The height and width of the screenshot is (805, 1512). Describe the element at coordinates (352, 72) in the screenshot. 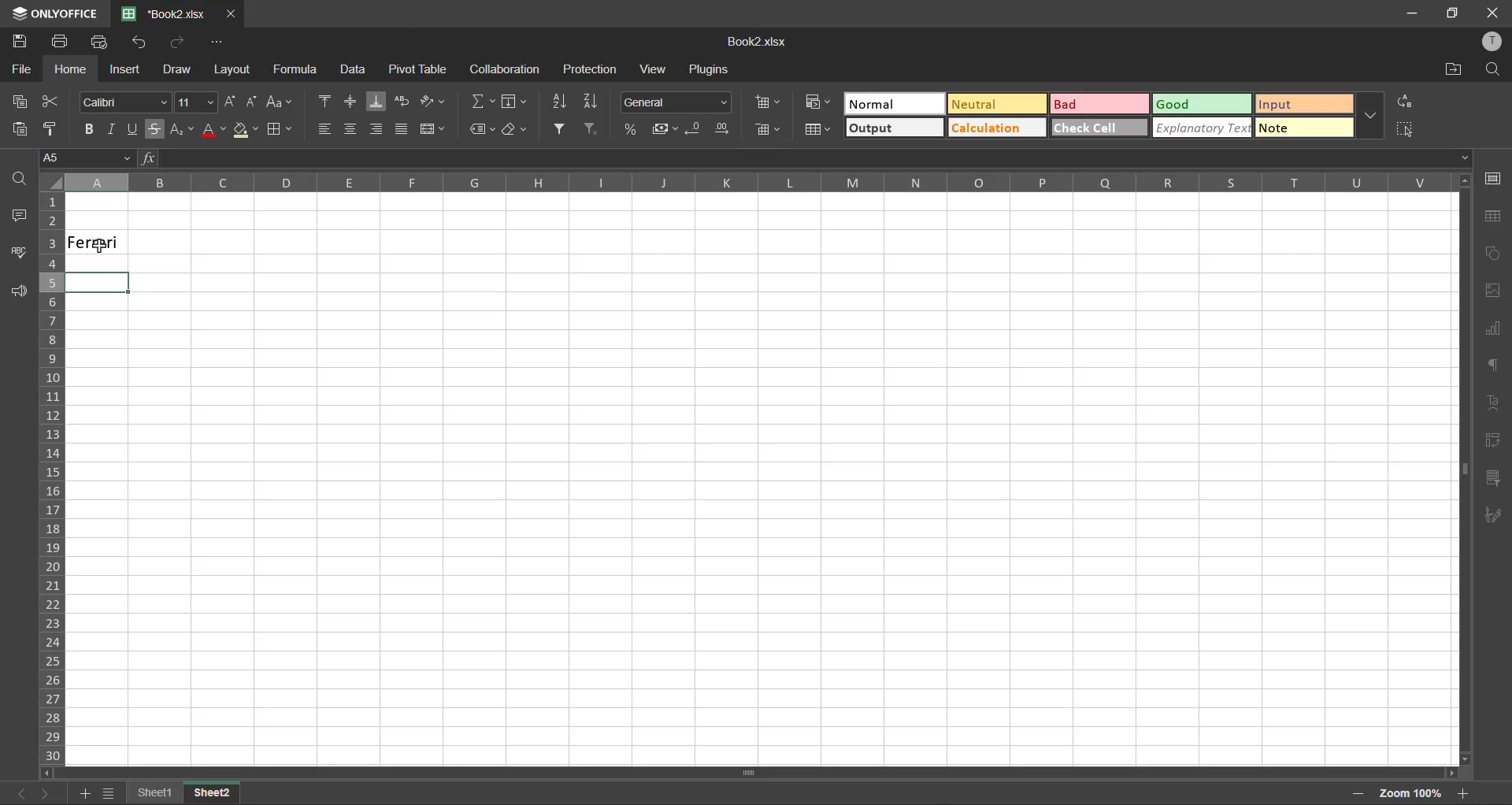

I see `data` at that location.